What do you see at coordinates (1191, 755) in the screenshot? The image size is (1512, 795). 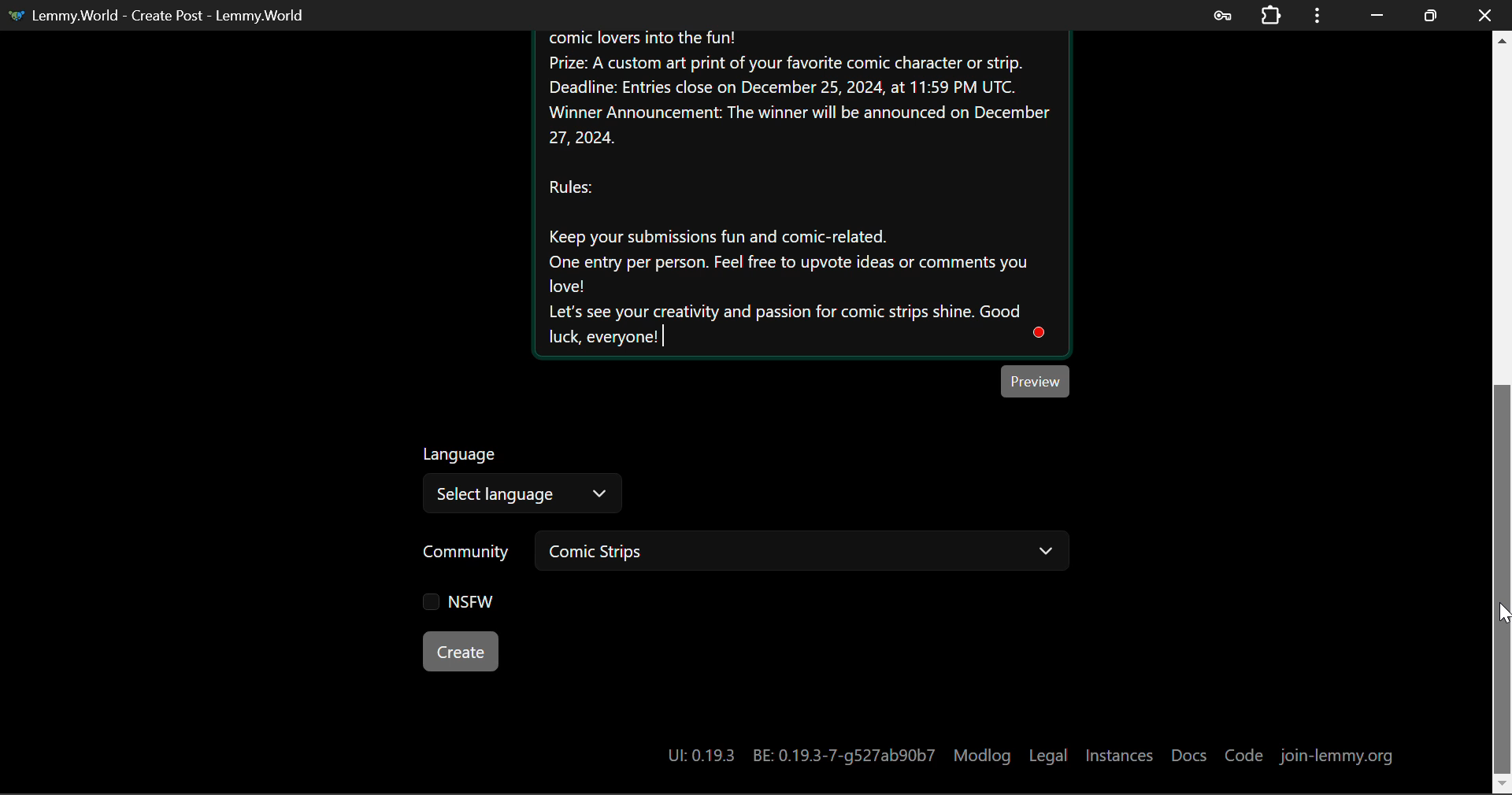 I see `Docs` at bounding box center [1191, 755].